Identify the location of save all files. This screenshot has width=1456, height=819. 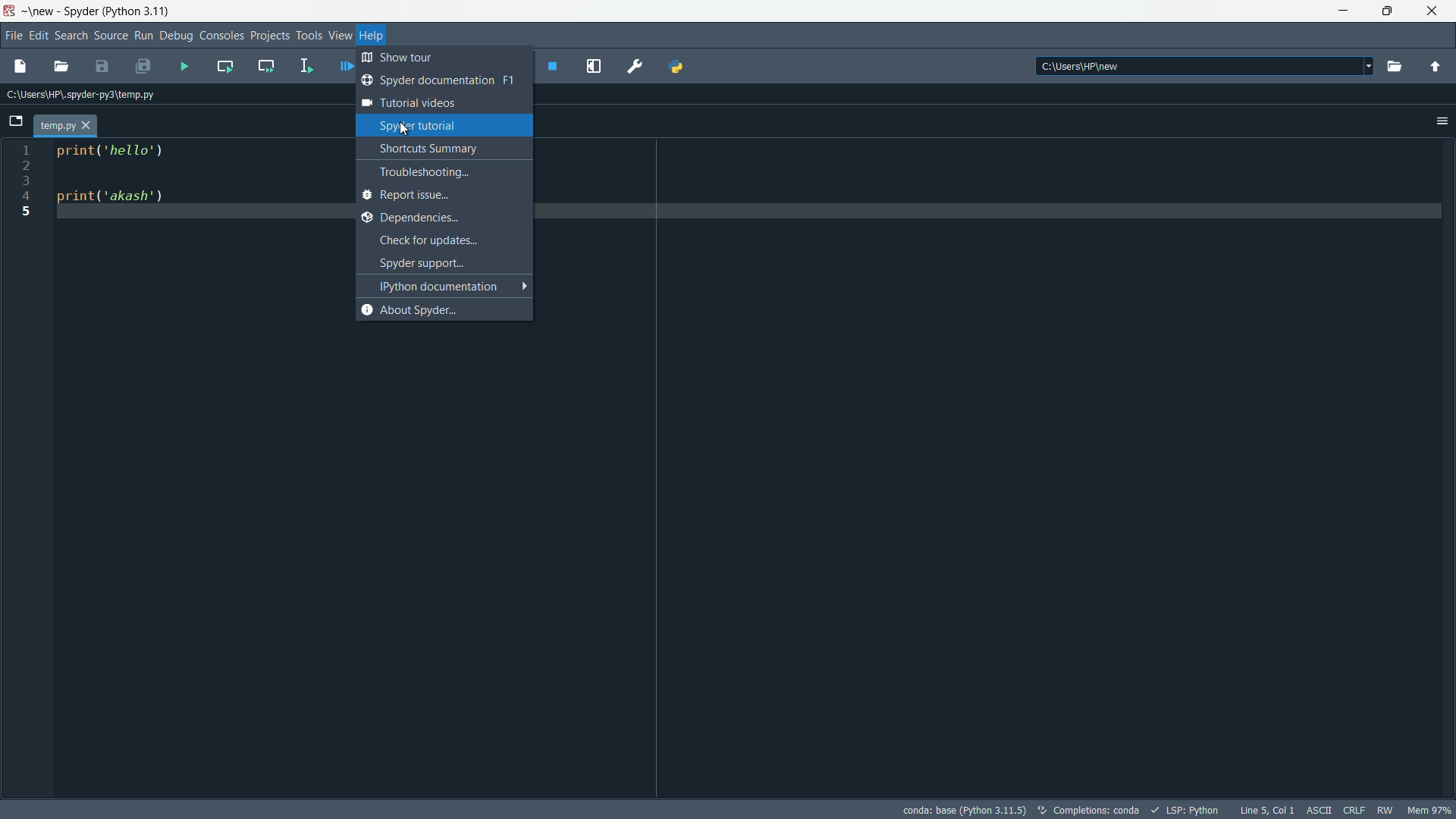
(146, 67).